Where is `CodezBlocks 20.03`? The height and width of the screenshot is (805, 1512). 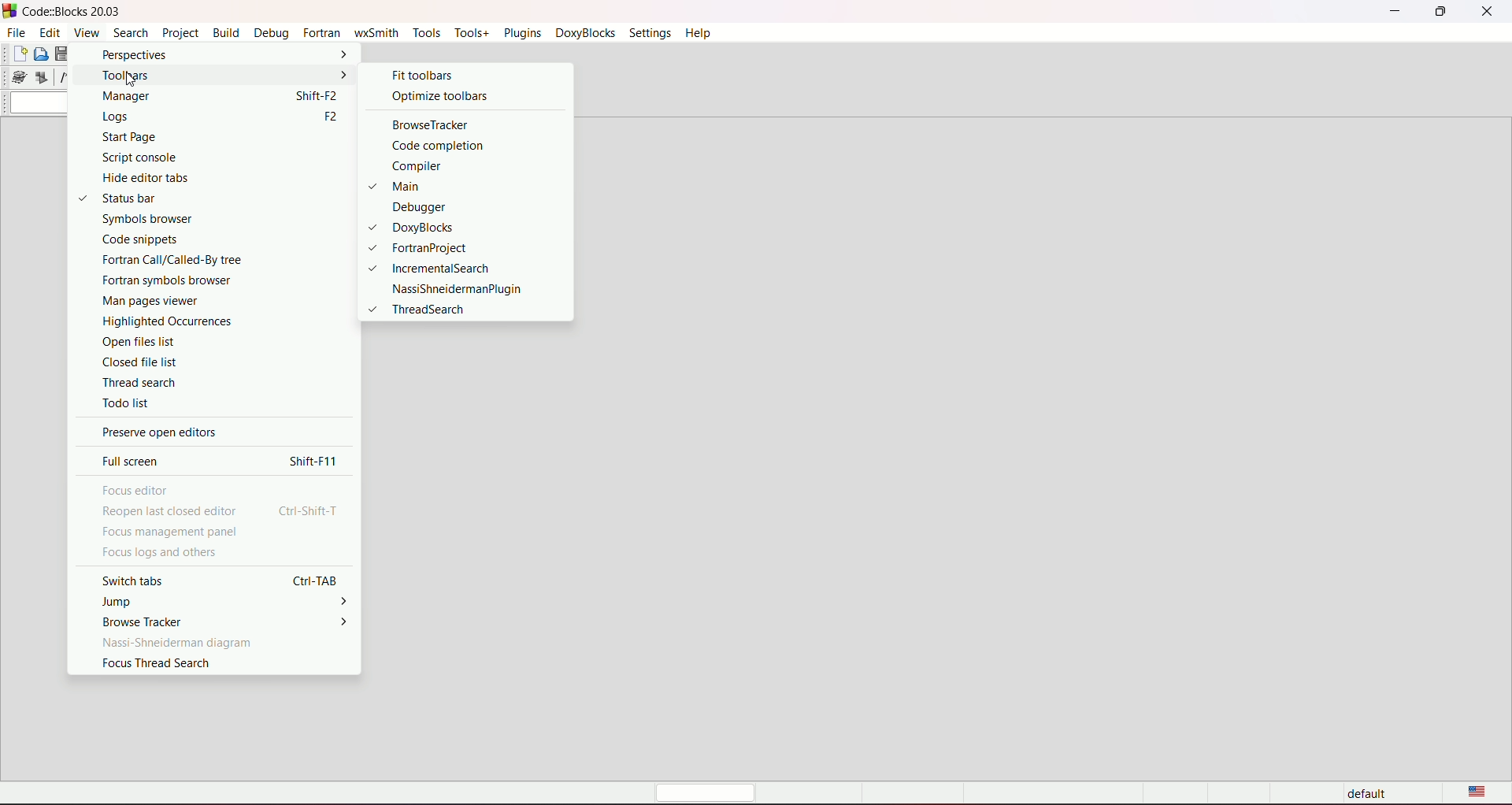 CodezBlocks 20.03 is located at coordinates (65, 11).